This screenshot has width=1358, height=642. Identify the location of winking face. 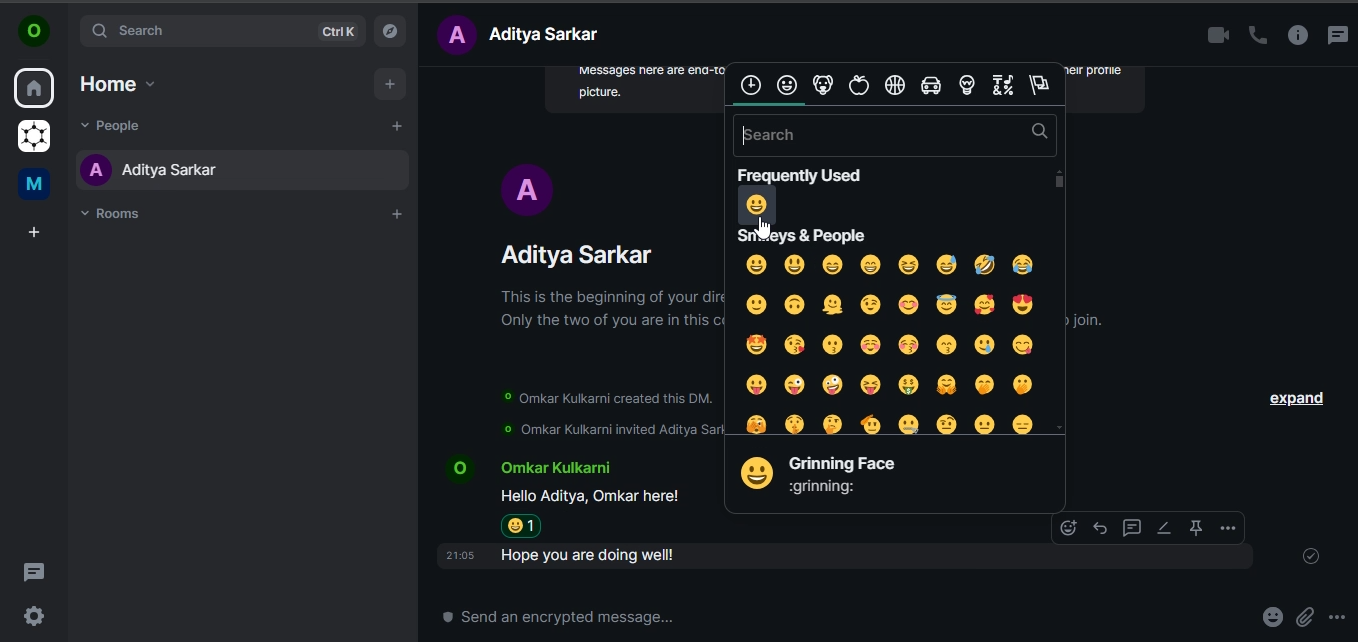
(870, 306).